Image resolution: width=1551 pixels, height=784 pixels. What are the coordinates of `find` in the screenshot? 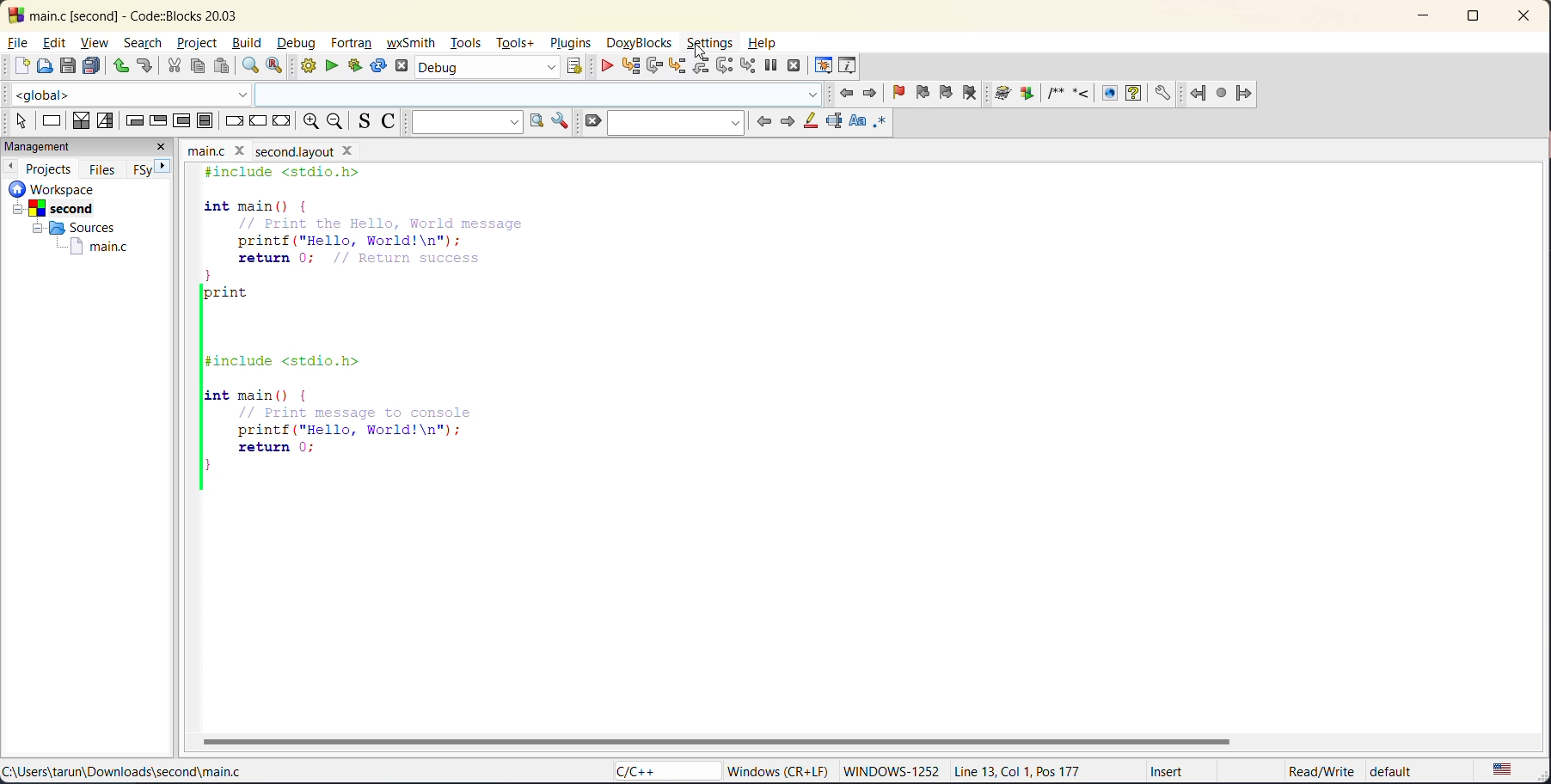 It's located at (251, 66).